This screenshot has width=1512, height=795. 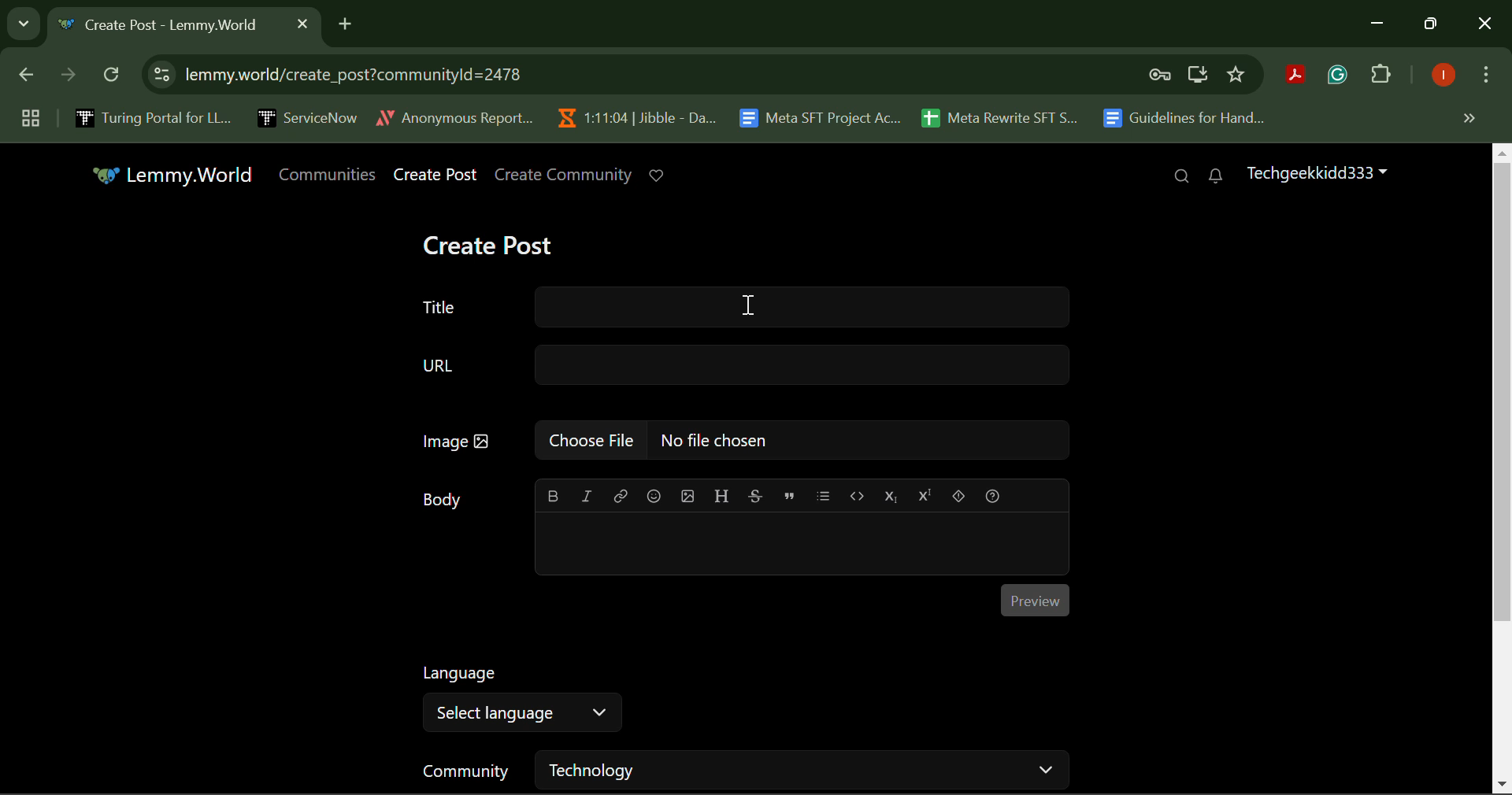 What do you see at coordinates (1214, 176) in the screenshot?
I see `Notifications` at bounding box center [1214, 176].